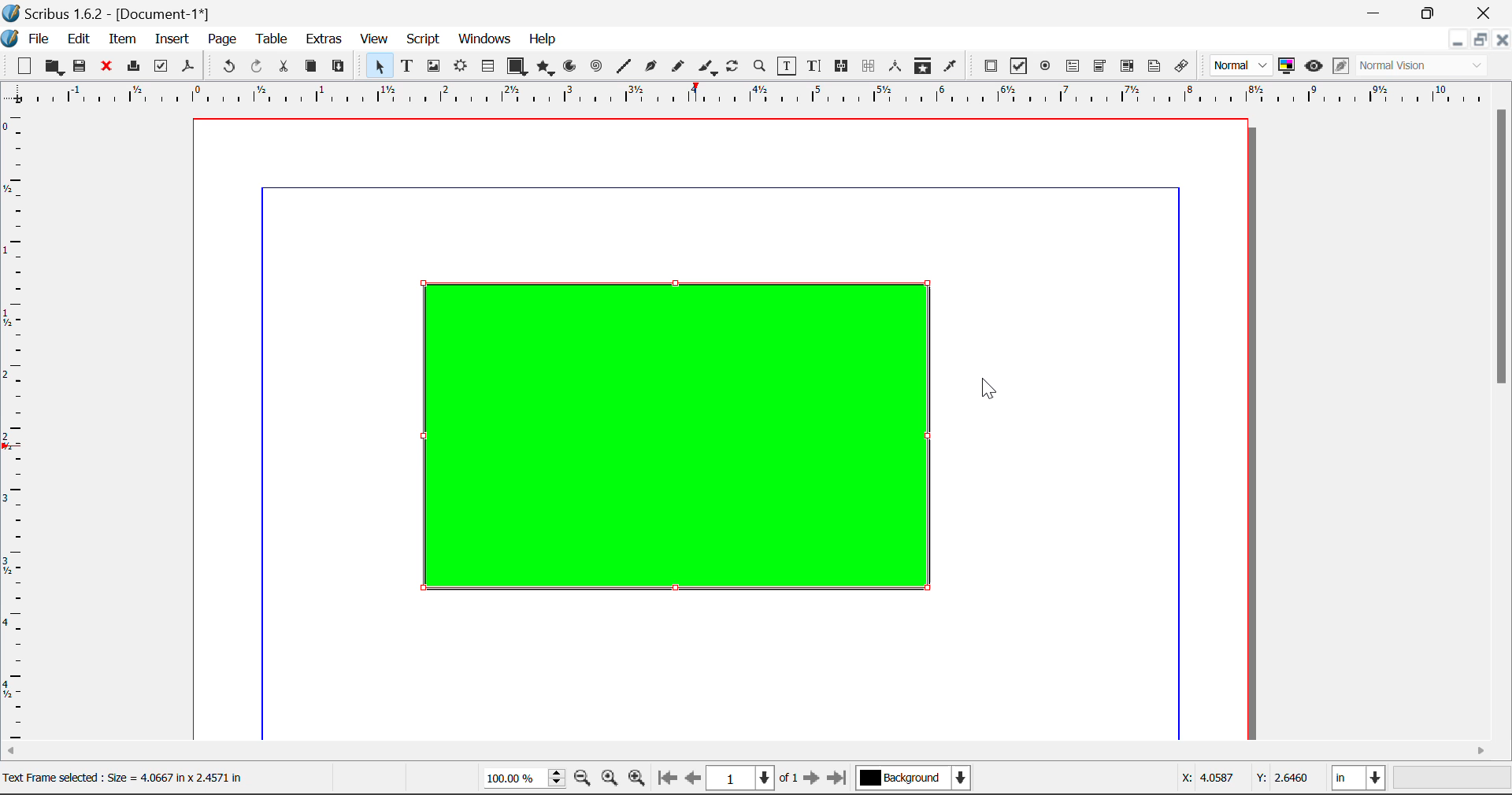  Describe the element at coordinates (161, 66) in the screenshot. I see `Pre-flight Verifier` at that location.